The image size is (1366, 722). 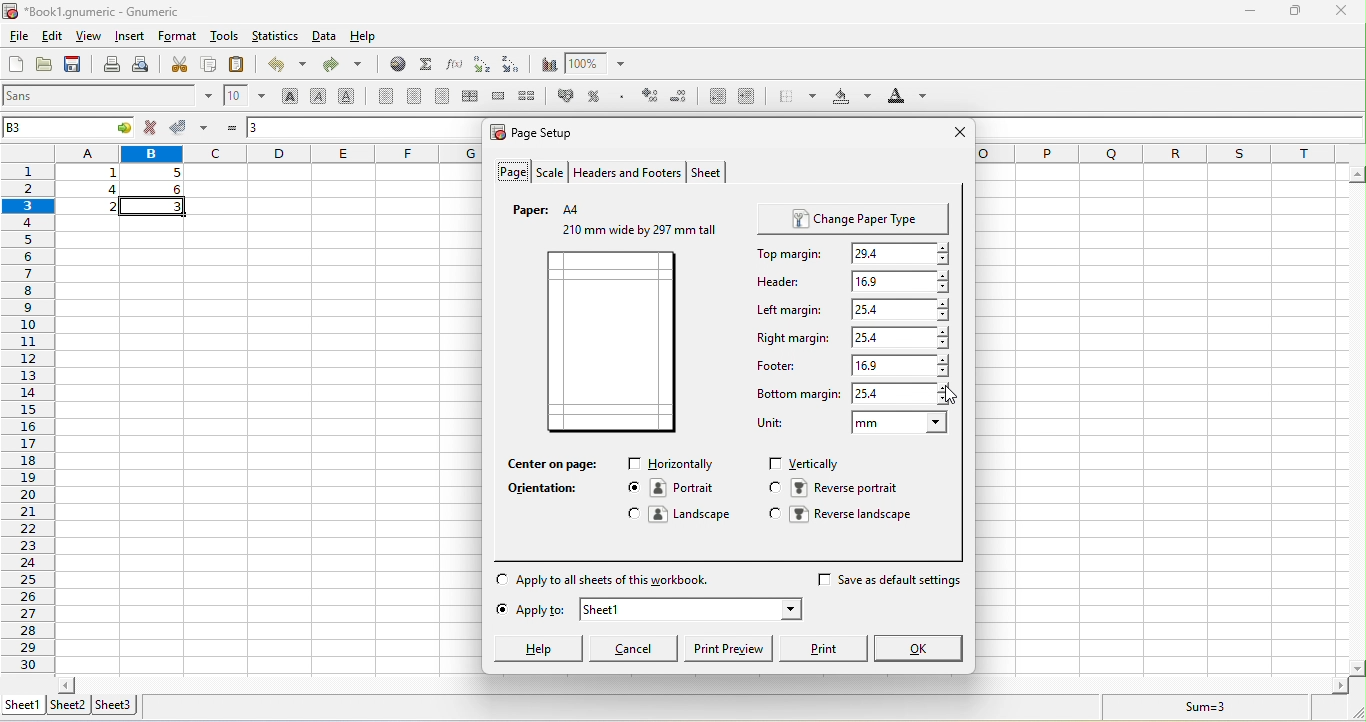 What do you see at coordinates (559, 464) in the screenshot?
I see `center on page` at bounding box center [559, 464].